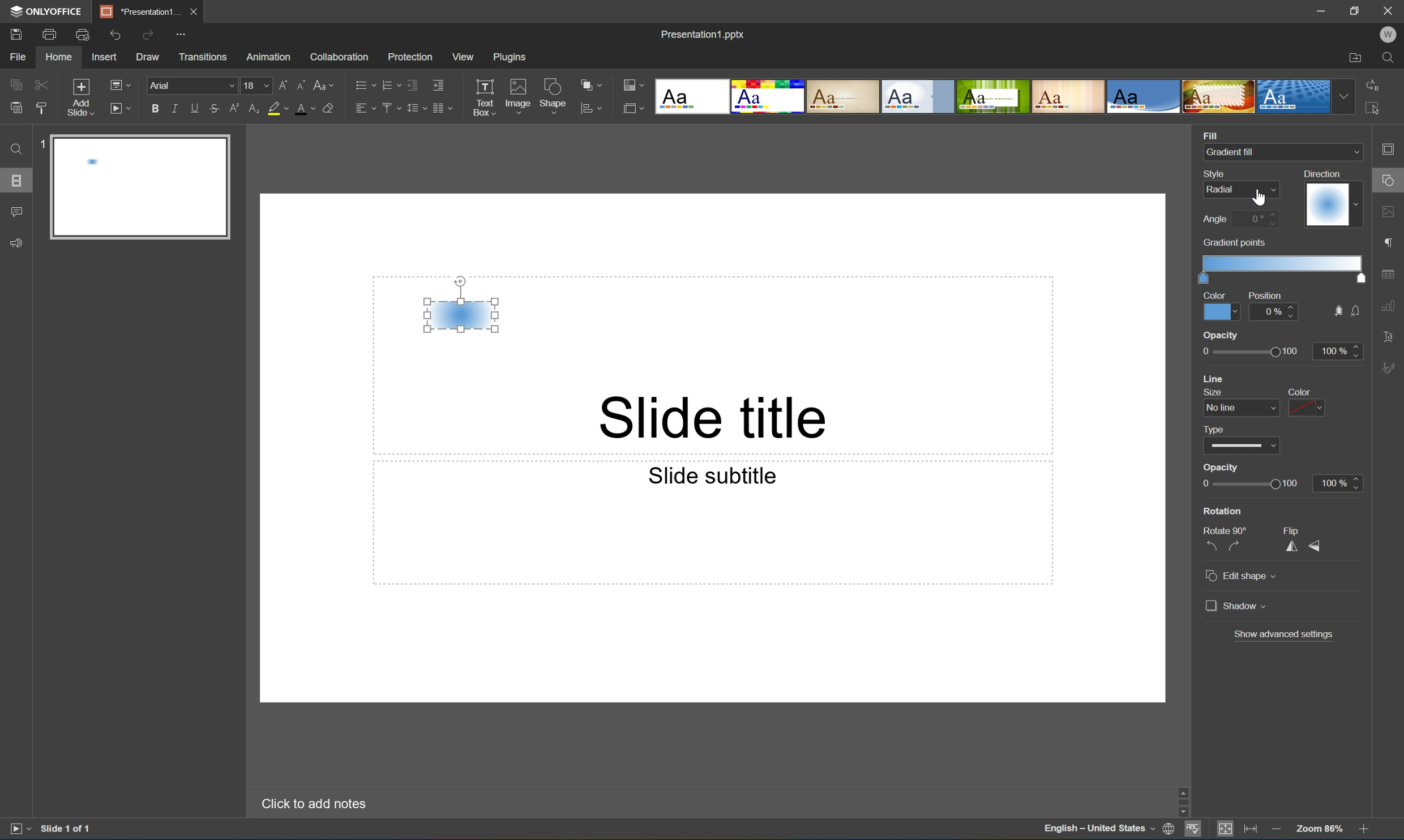  What do you see at coordinates (389, 108) in the screenshot?
I see `Vertical align` at bounding box center [389, 108].